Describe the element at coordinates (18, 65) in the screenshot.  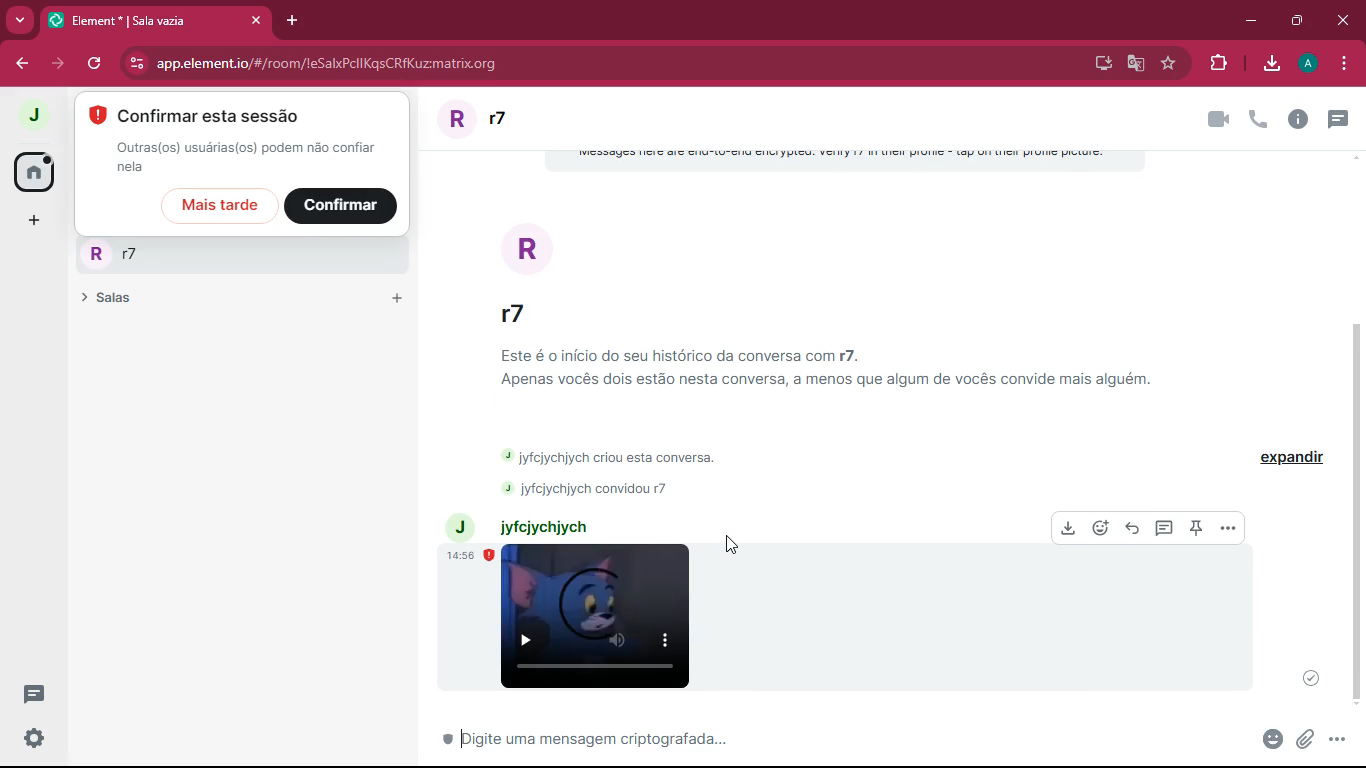
I see `back` at that location.